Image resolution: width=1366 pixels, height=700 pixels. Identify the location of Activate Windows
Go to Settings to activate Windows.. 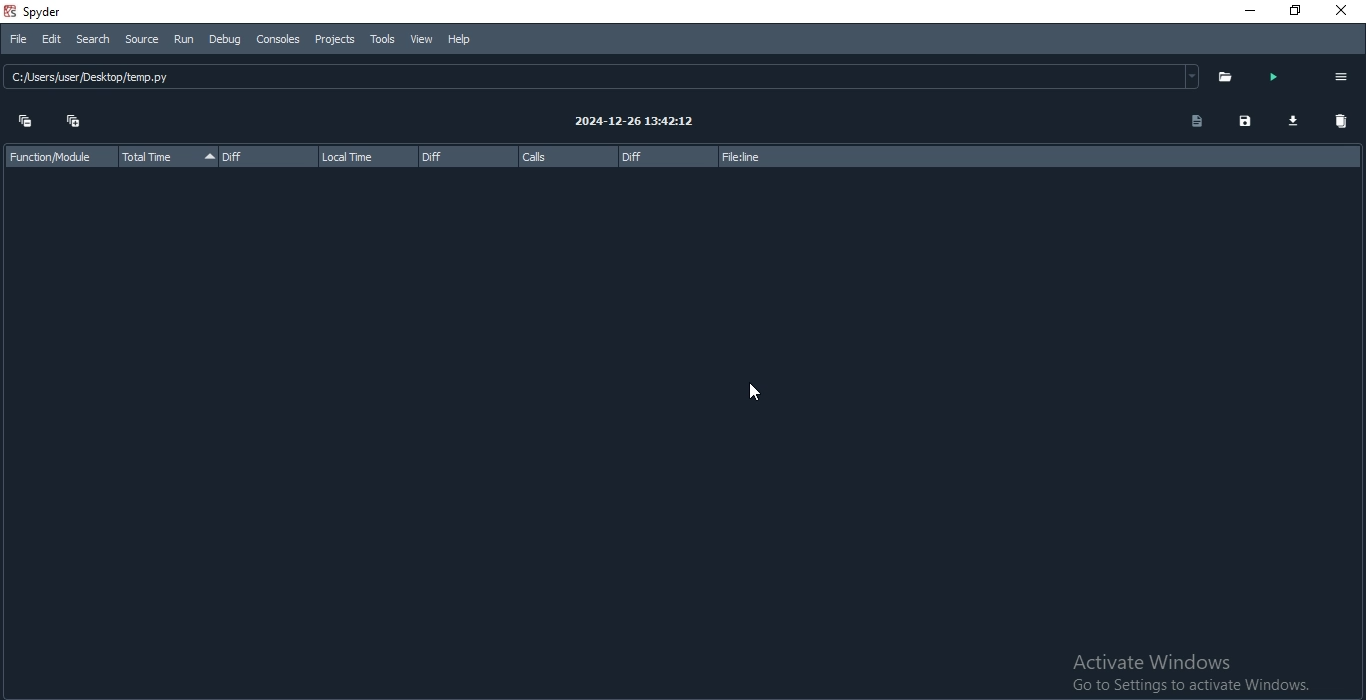
(1170, 672).